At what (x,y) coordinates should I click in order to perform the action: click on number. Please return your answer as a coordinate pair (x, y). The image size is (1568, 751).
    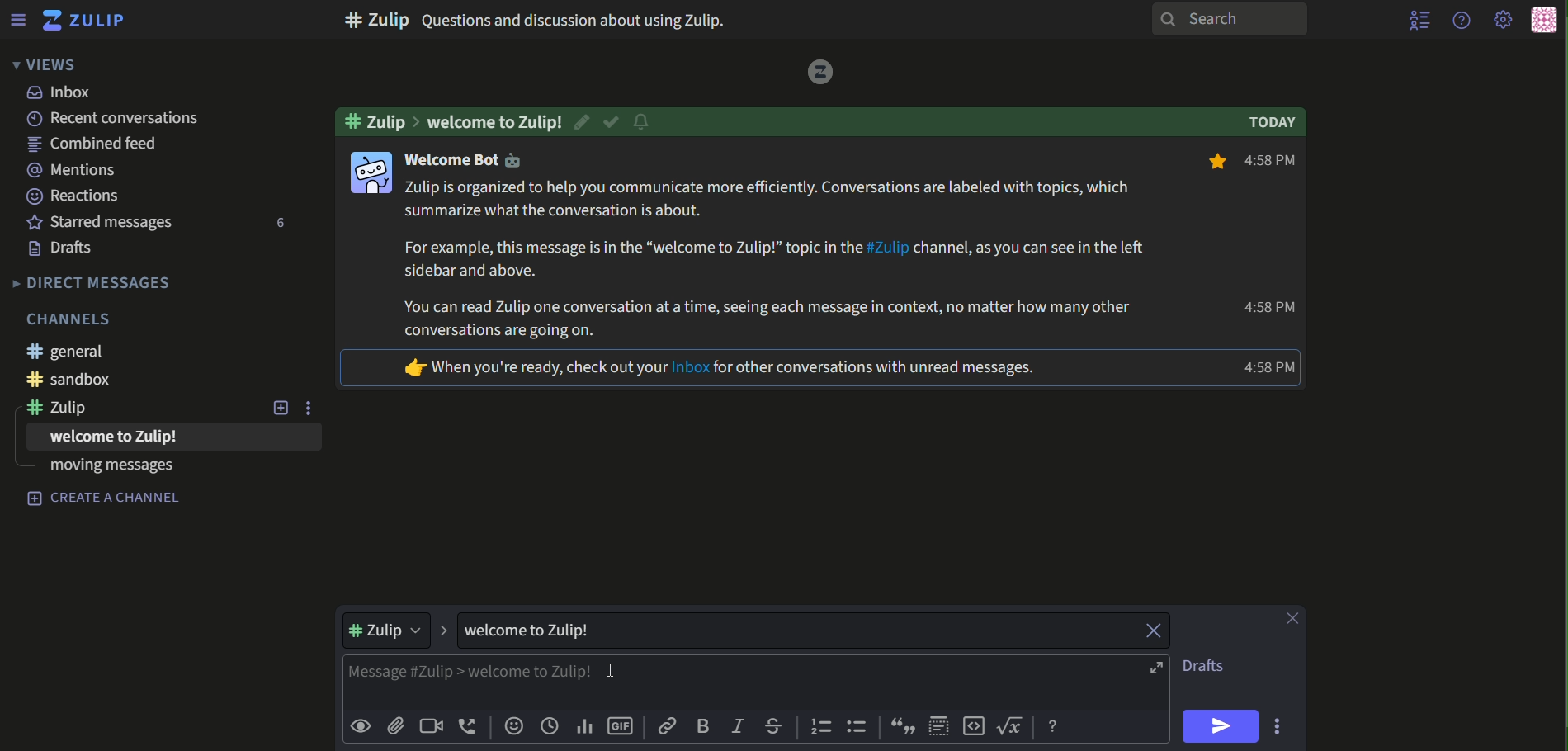
    Looking at the image, I should click on (276, 224).